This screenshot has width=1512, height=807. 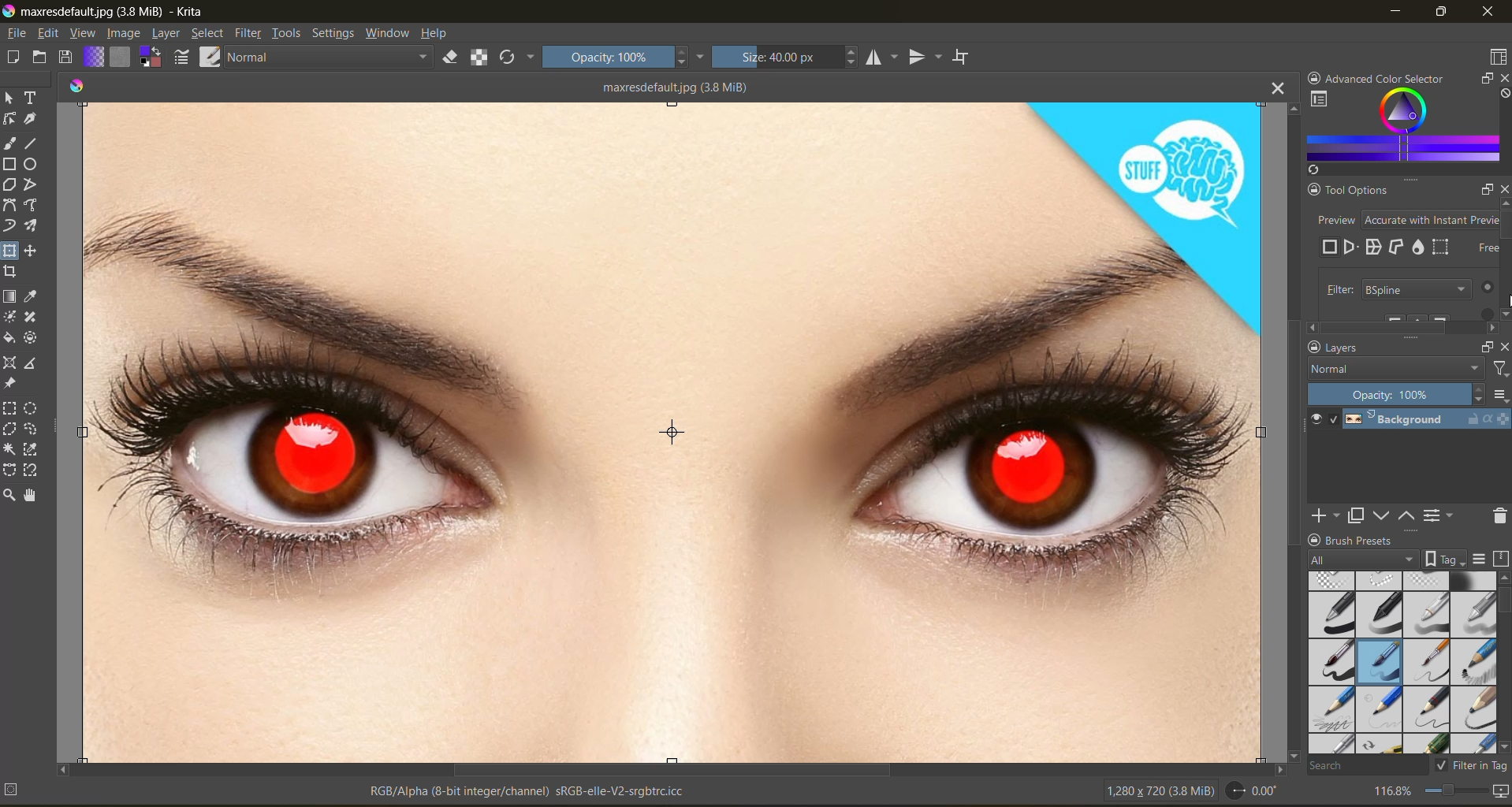 What do you see at coordinates (455, 57) in the screenshot?
I see `set eraser mode` at bounding box center [455, 57].